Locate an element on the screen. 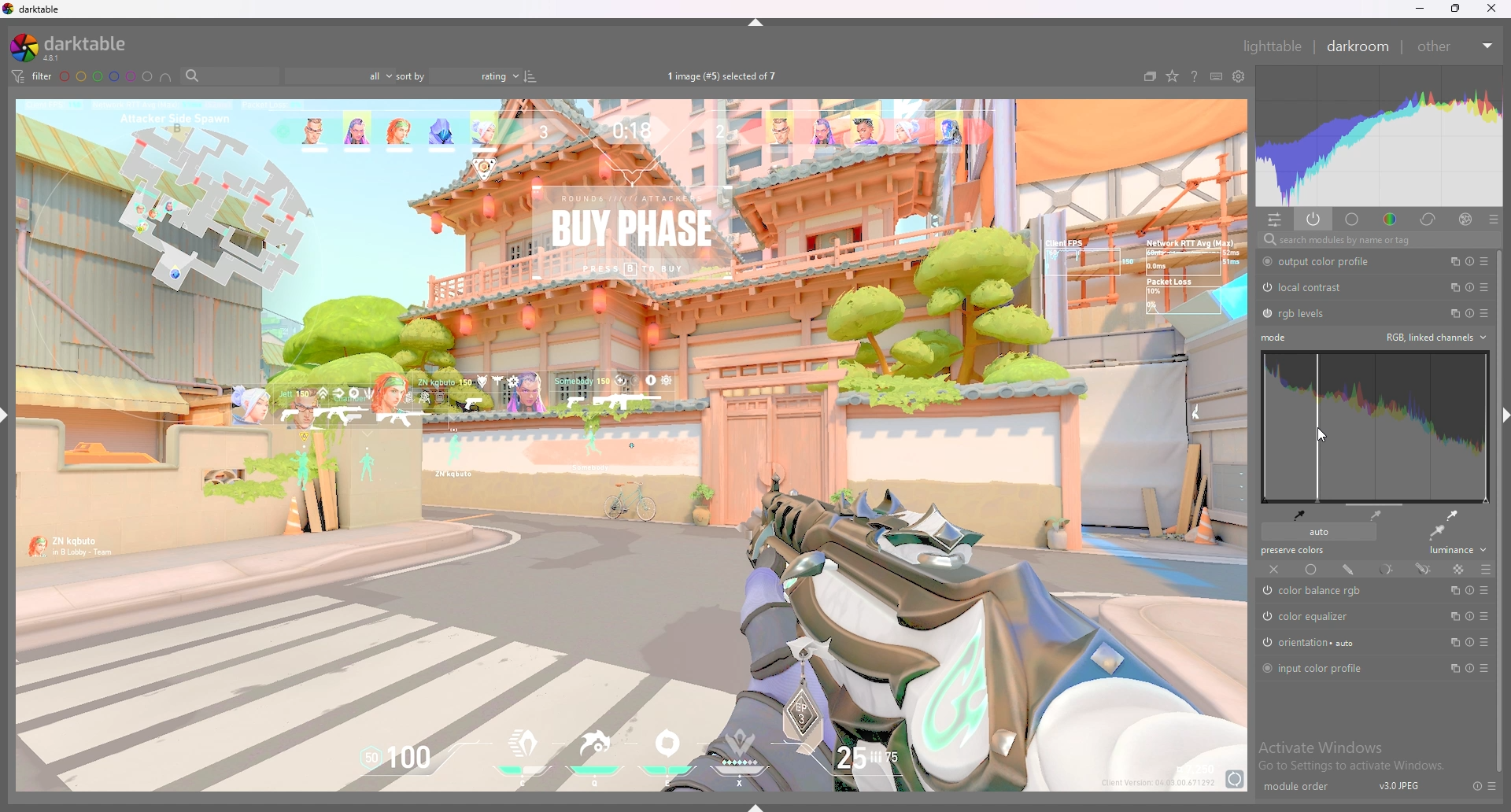  more is located at coordinates (1482, 669).